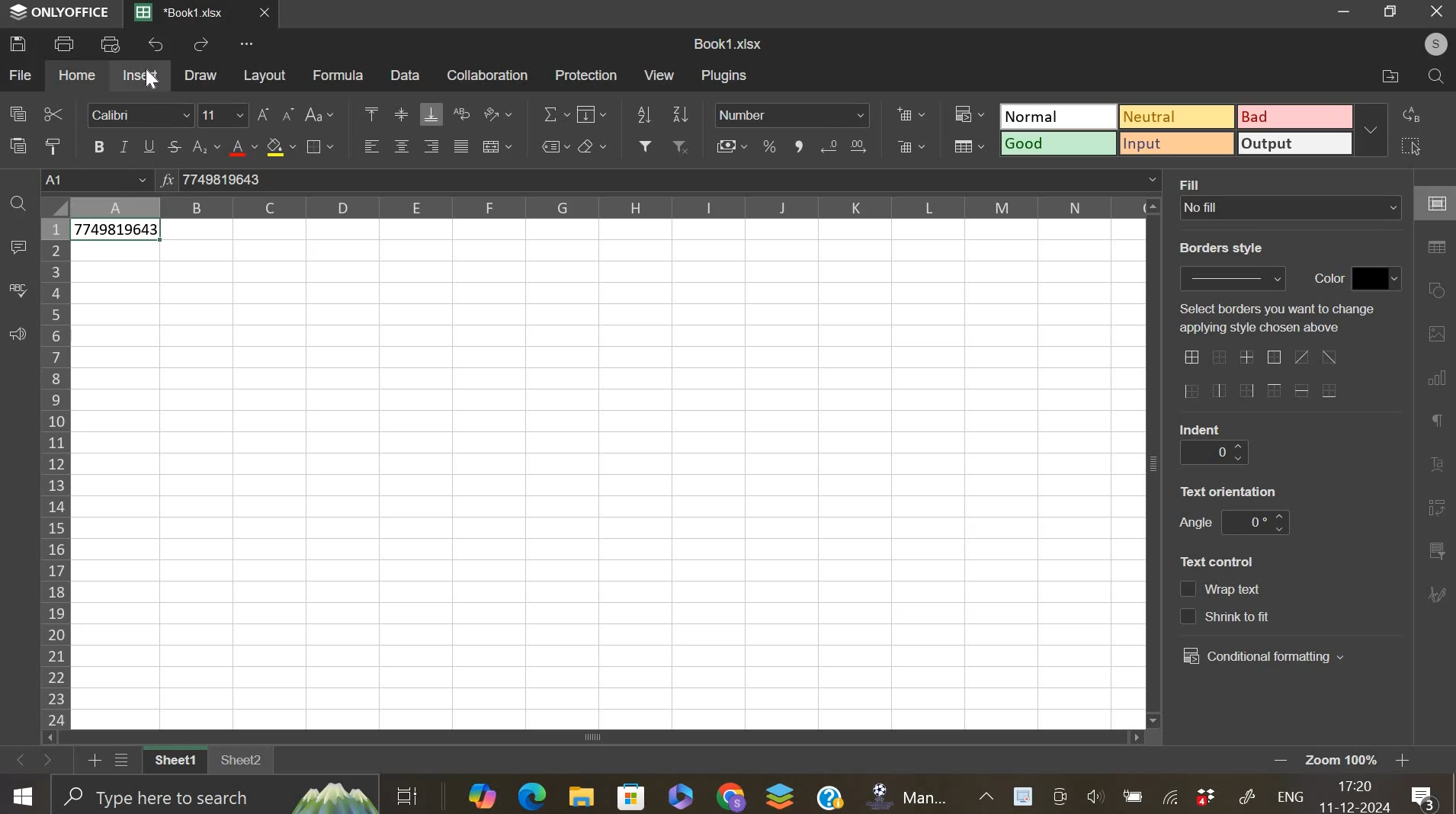 This screenshot has width=1456, height=814. What do you see at coordinates (277, 114) in the screenshot?
I see `change font size` at bounding box center [277, 114].